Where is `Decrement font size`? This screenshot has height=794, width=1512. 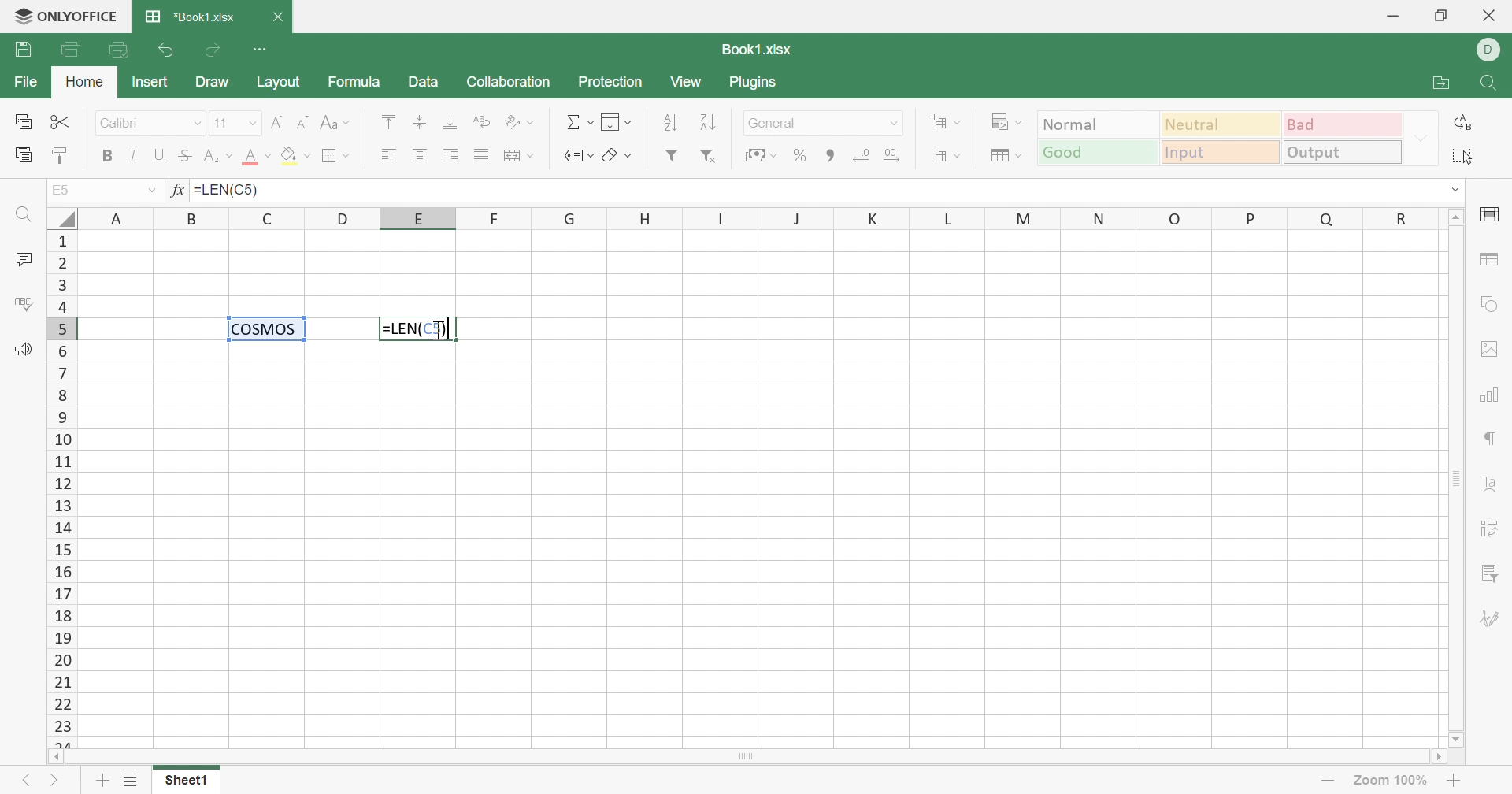 Decrement font size is located at coordinates (303, 121).